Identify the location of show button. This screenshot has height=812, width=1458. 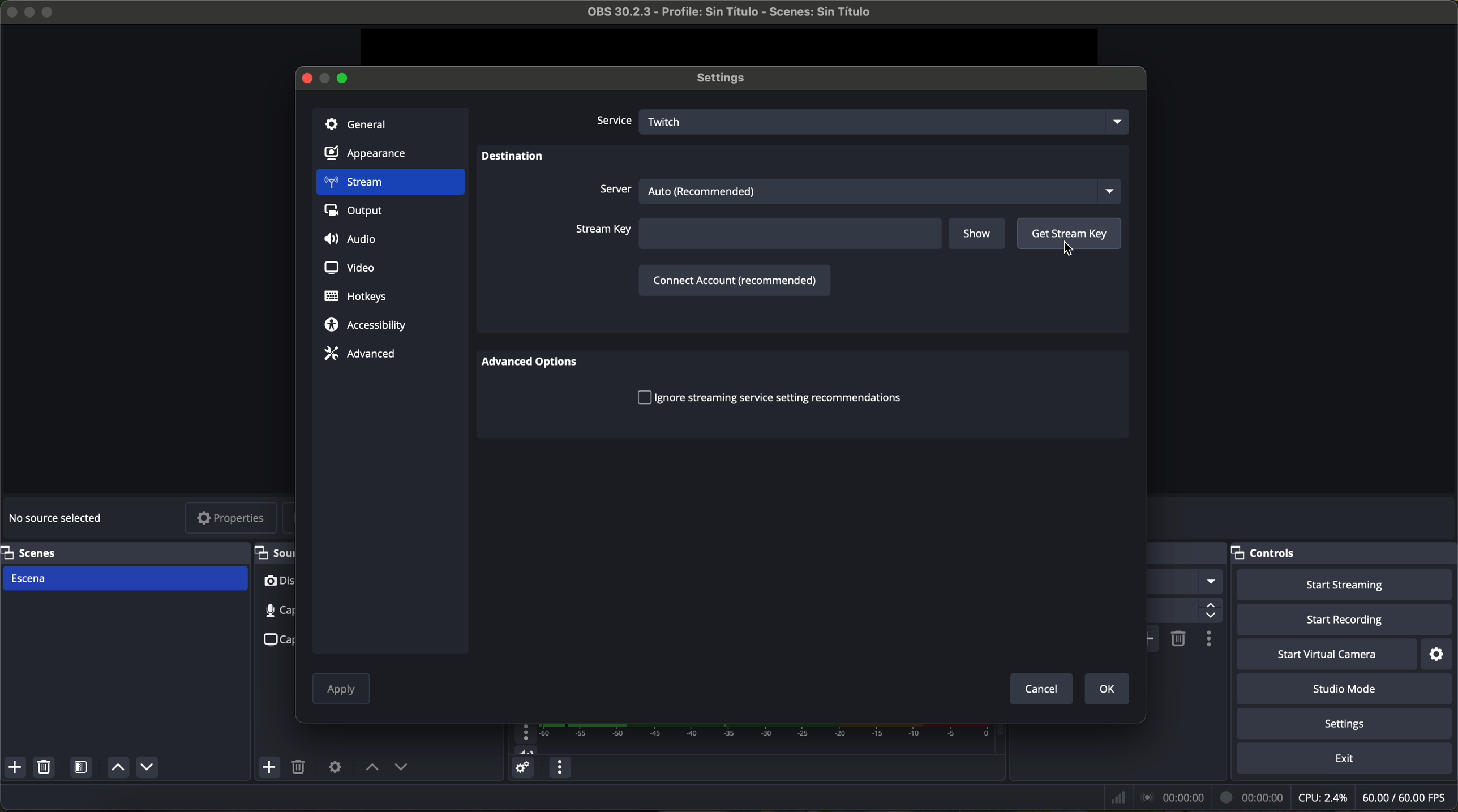
(979, 235).